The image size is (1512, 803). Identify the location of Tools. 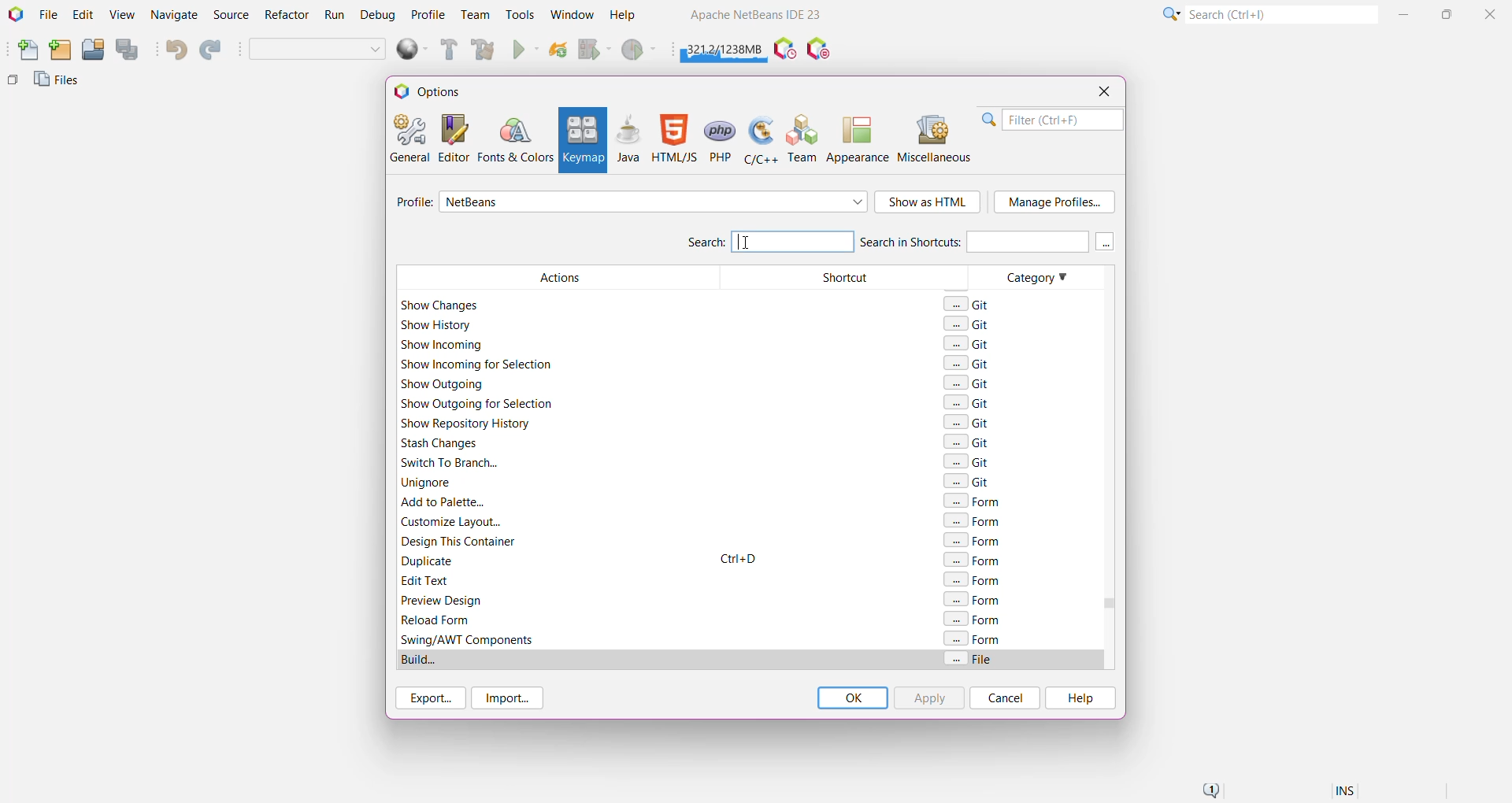
(521, 13).